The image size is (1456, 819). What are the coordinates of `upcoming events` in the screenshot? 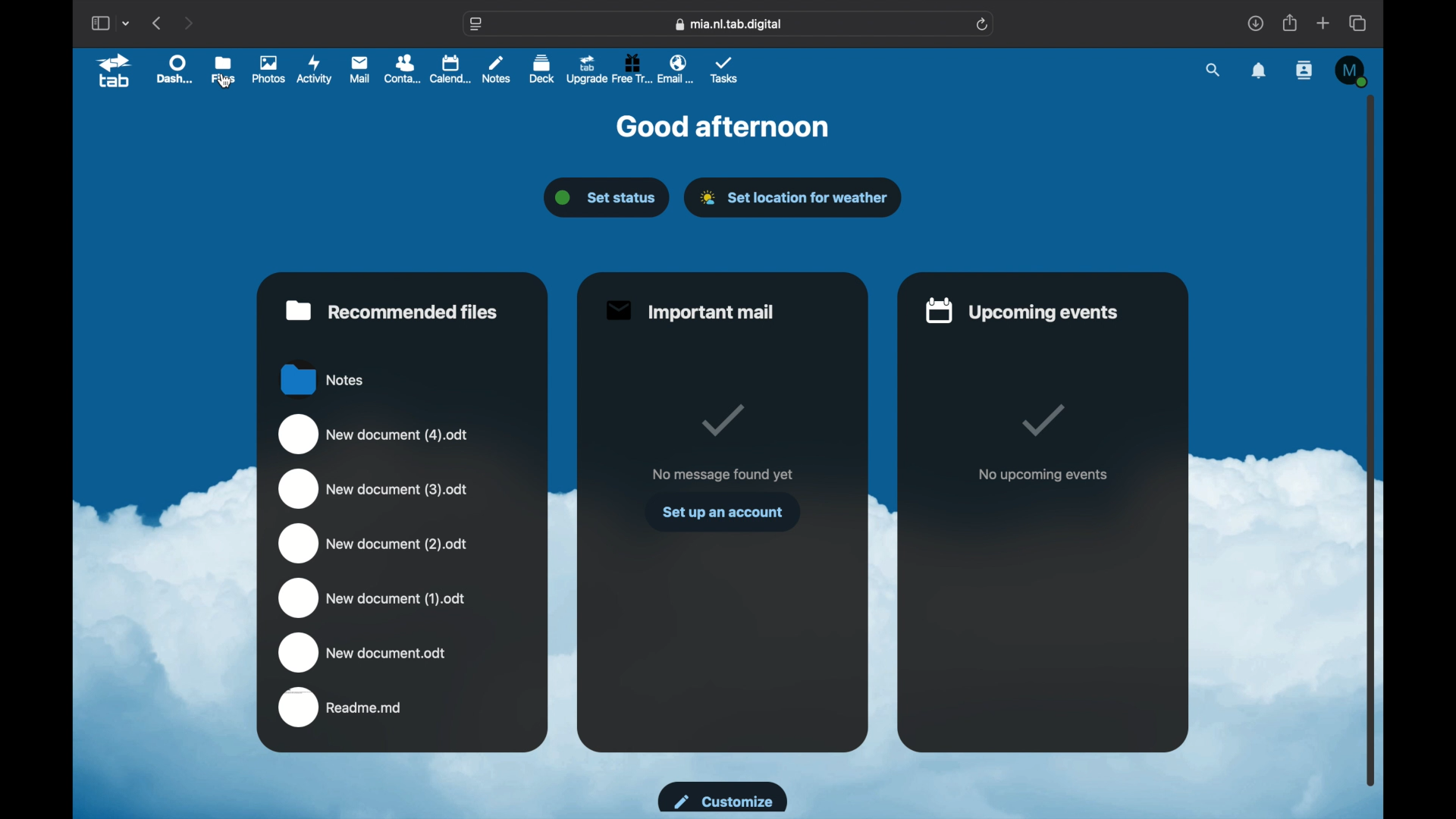 It's located at (1021, 310).